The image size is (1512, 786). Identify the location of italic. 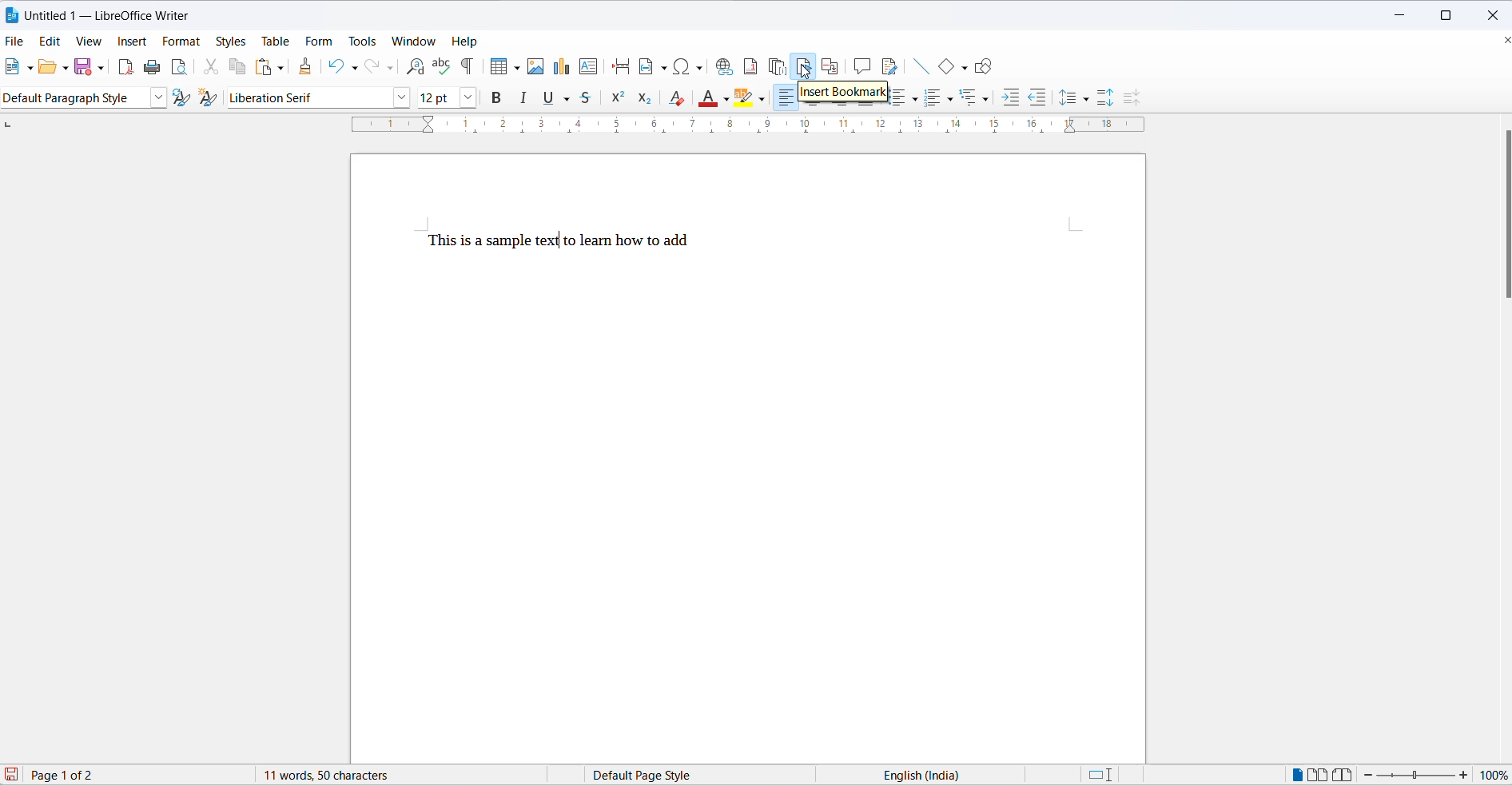
(526, 99).